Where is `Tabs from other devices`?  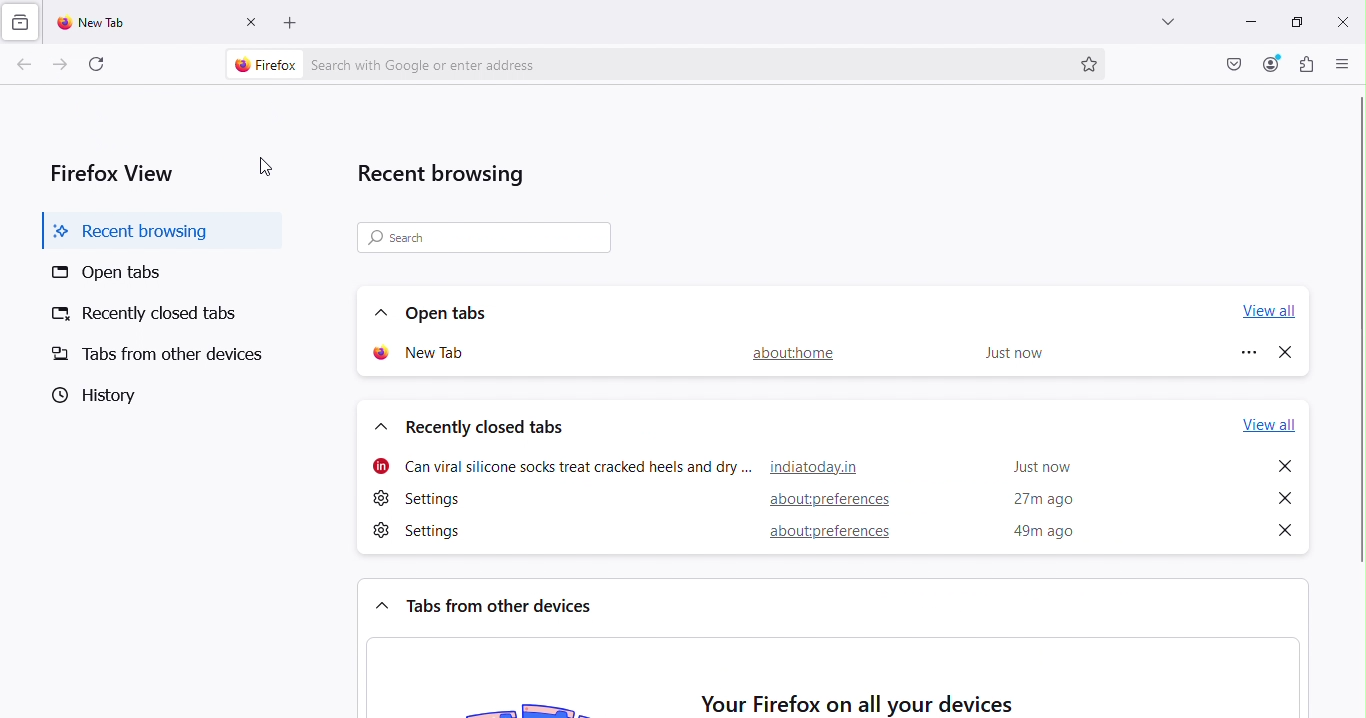
Tabs from other devices is located at coordinates (487, 605).